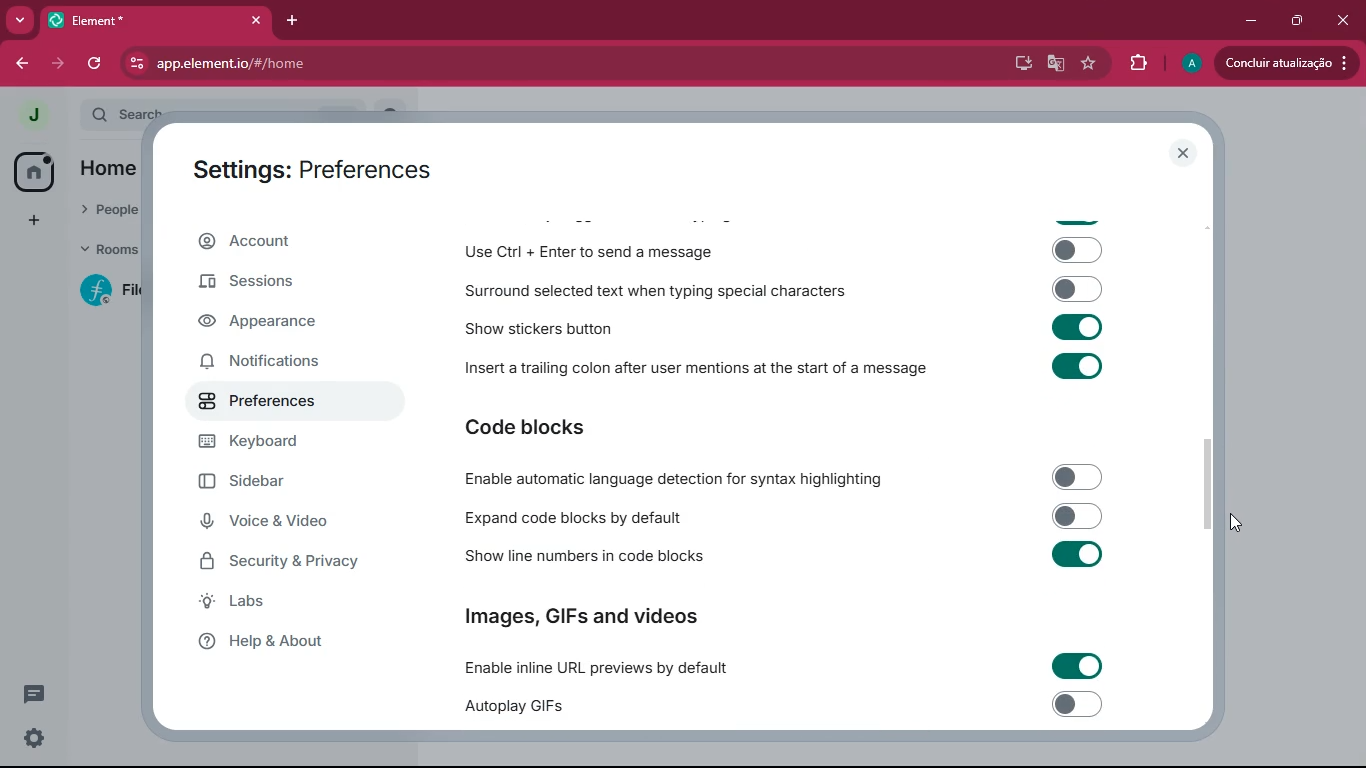 The height and width of the screenshot is (768, 1366). I want to click on rooms, so click(108, 252).